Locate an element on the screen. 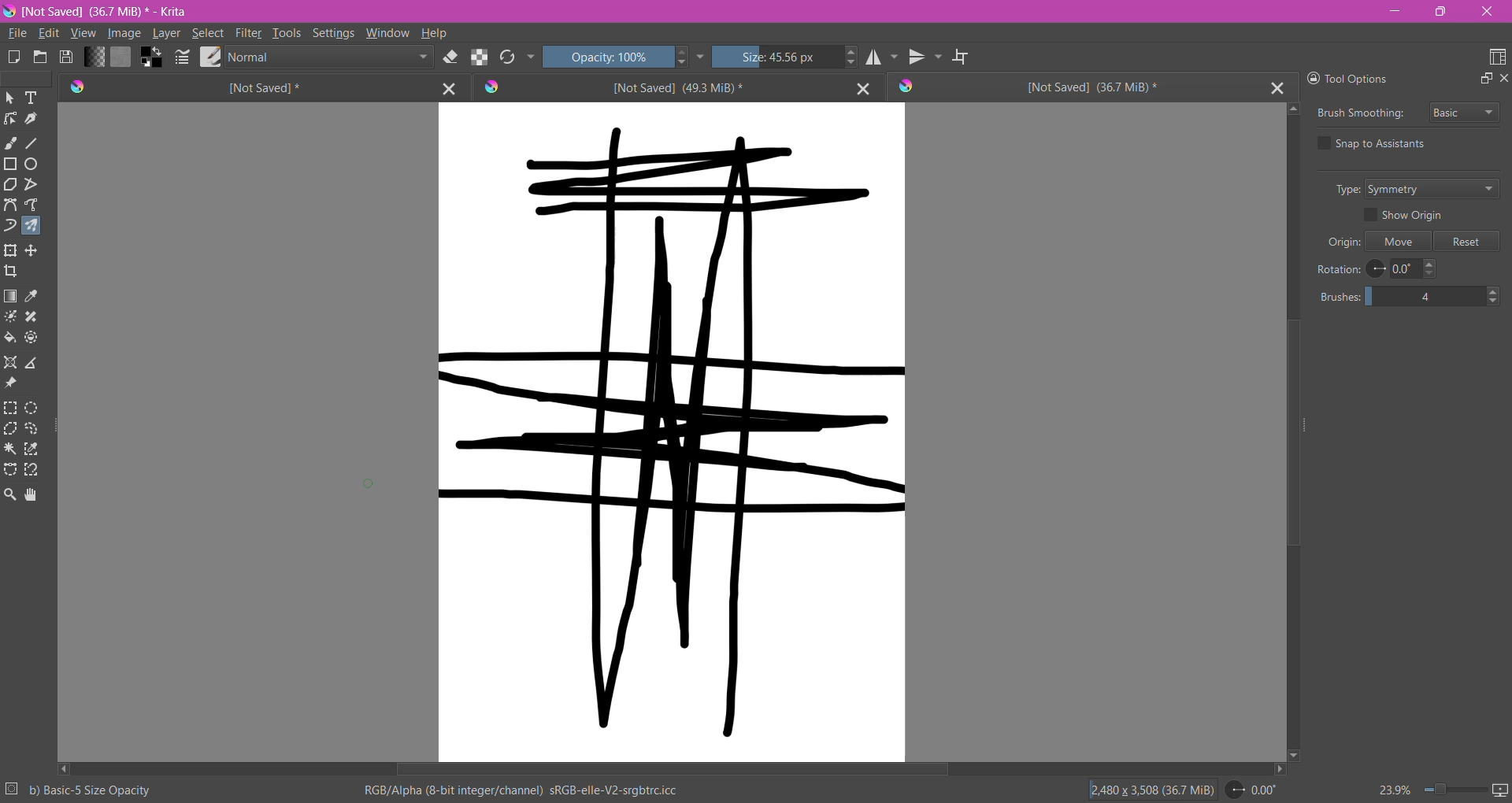 The height and width of the screenshot is (803, 1512). Image is located at coordinates (124, 35).